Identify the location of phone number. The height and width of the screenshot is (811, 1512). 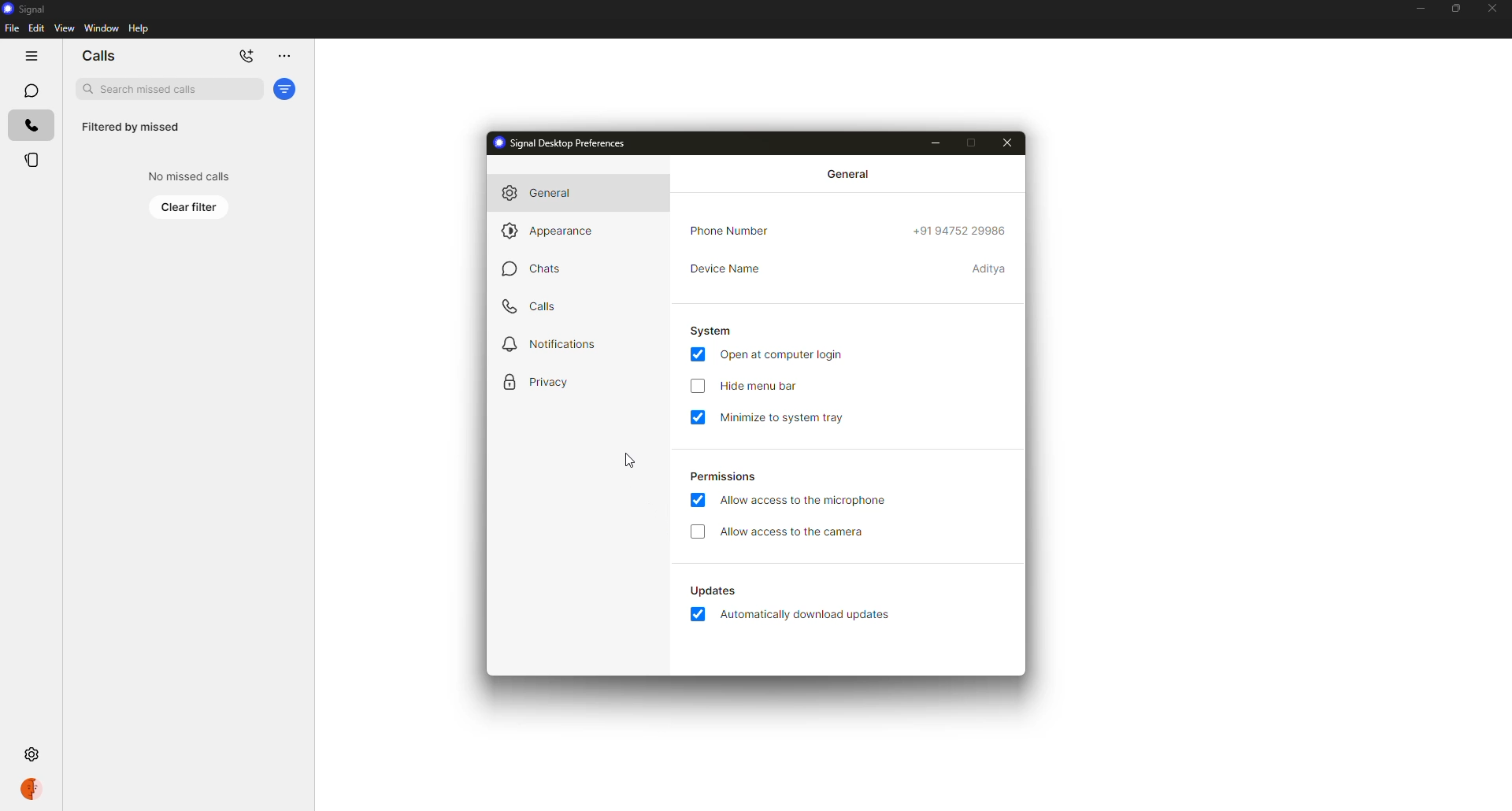
(962, 230).